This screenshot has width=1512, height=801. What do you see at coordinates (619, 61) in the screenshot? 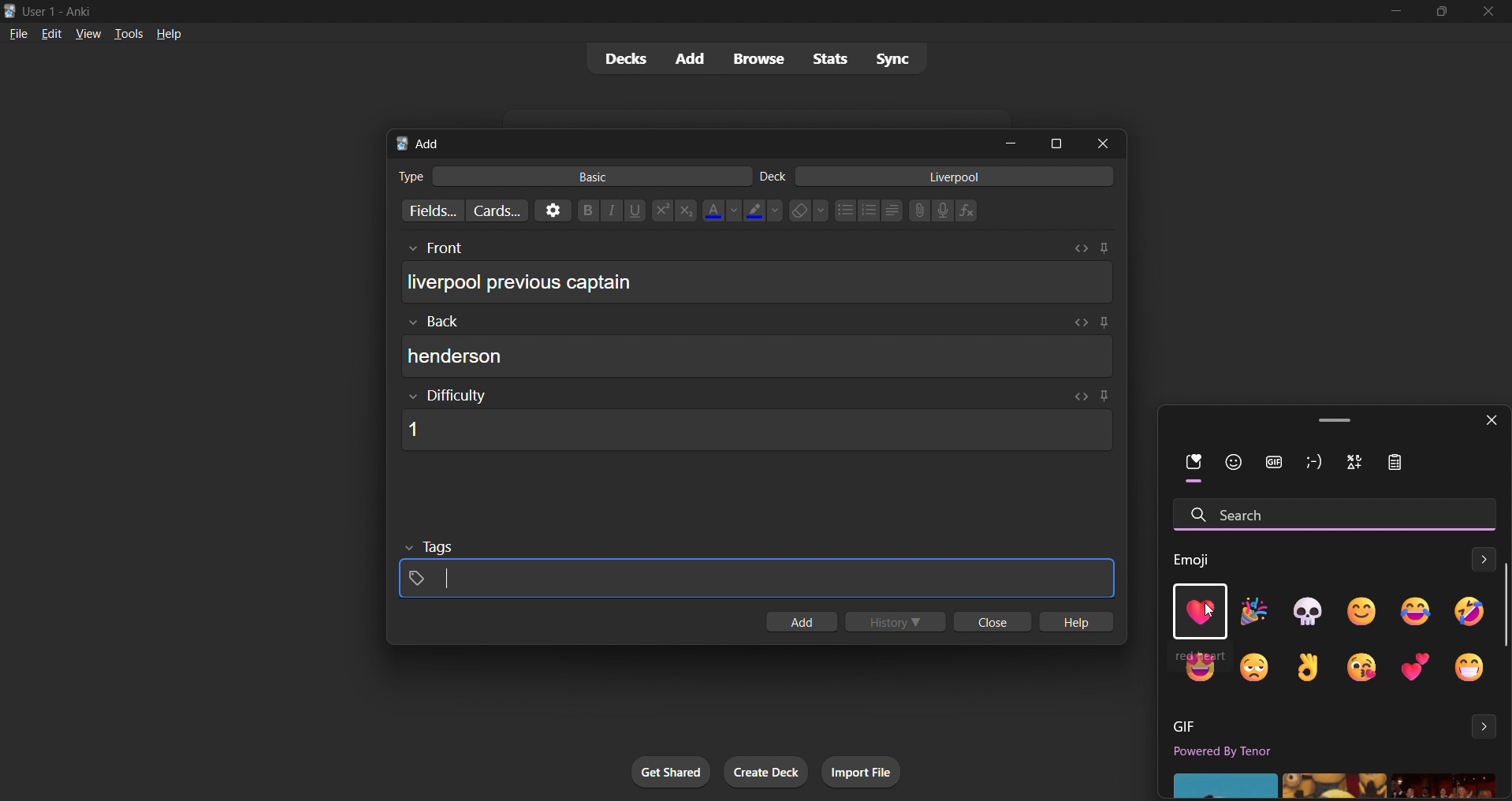
I see `decks` at bounding box center [619, 61].